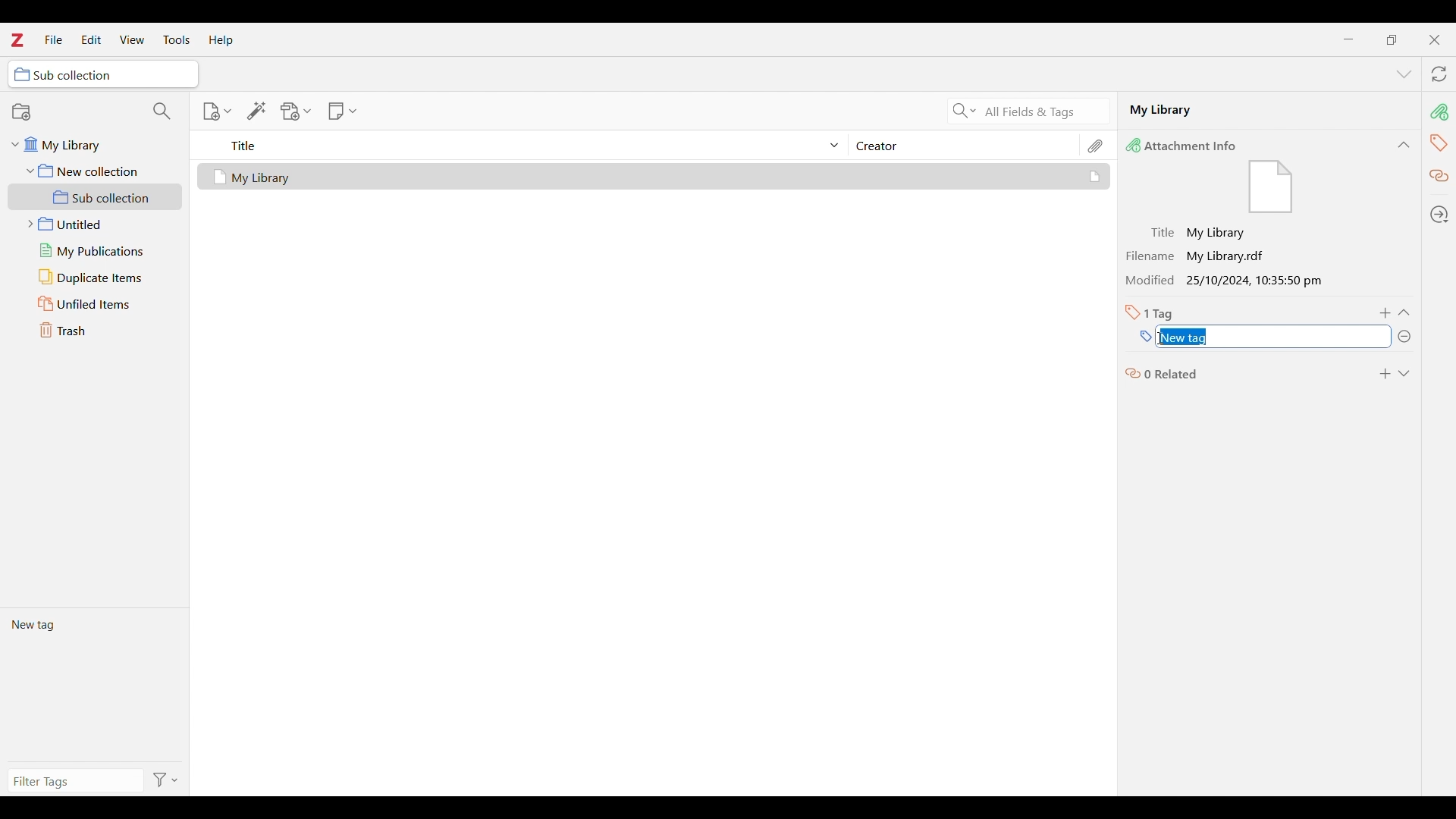 This screenshot has height=819, width=1456. What do you see at coordinates (177, 39) in the screenshot?
I see `Tools menu` at bounding box center [177, 39].